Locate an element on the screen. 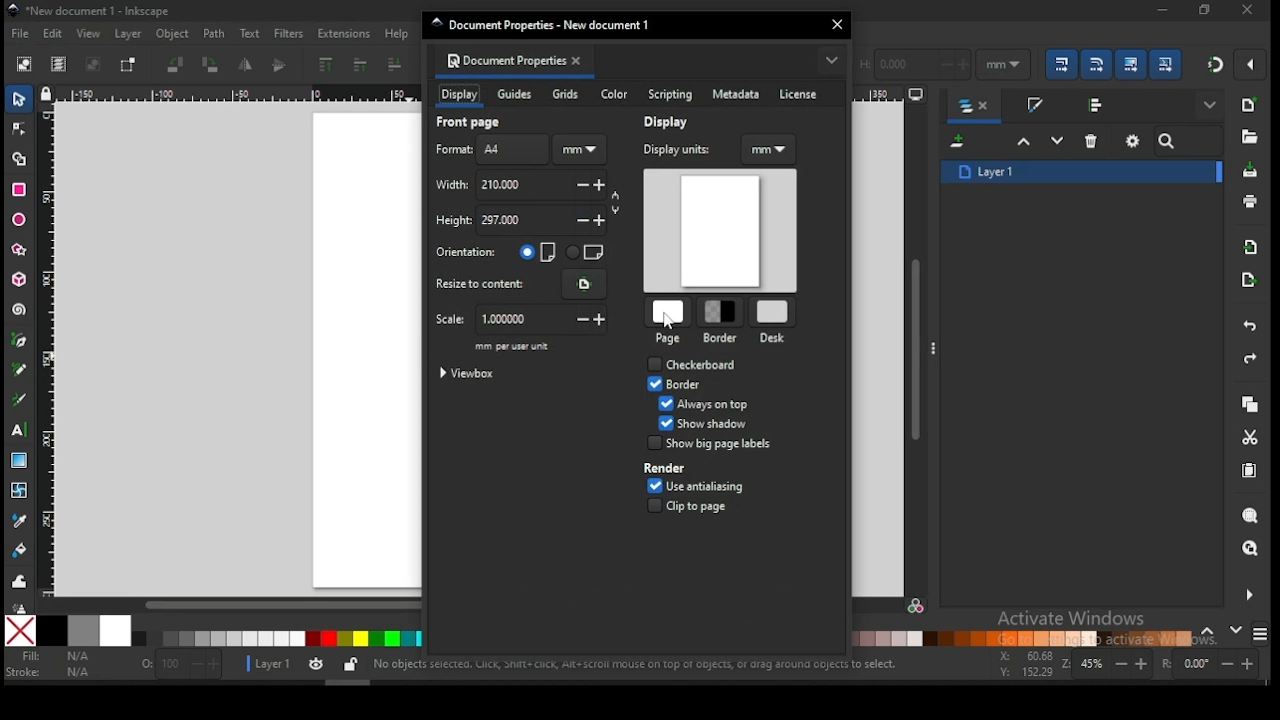  guides is located at coordinates (517, 96).